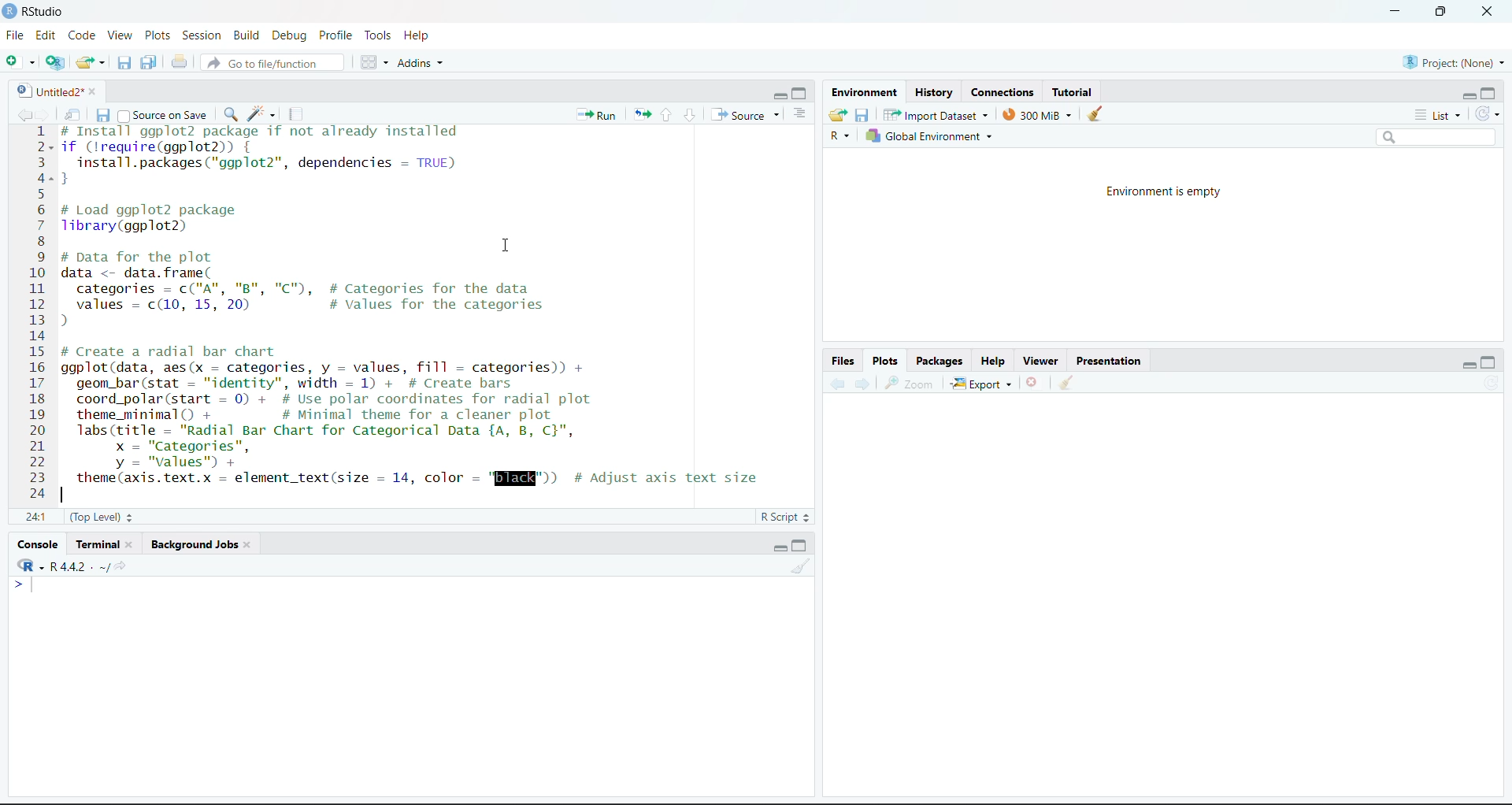  I want to click on compile report, so click(291, 116).